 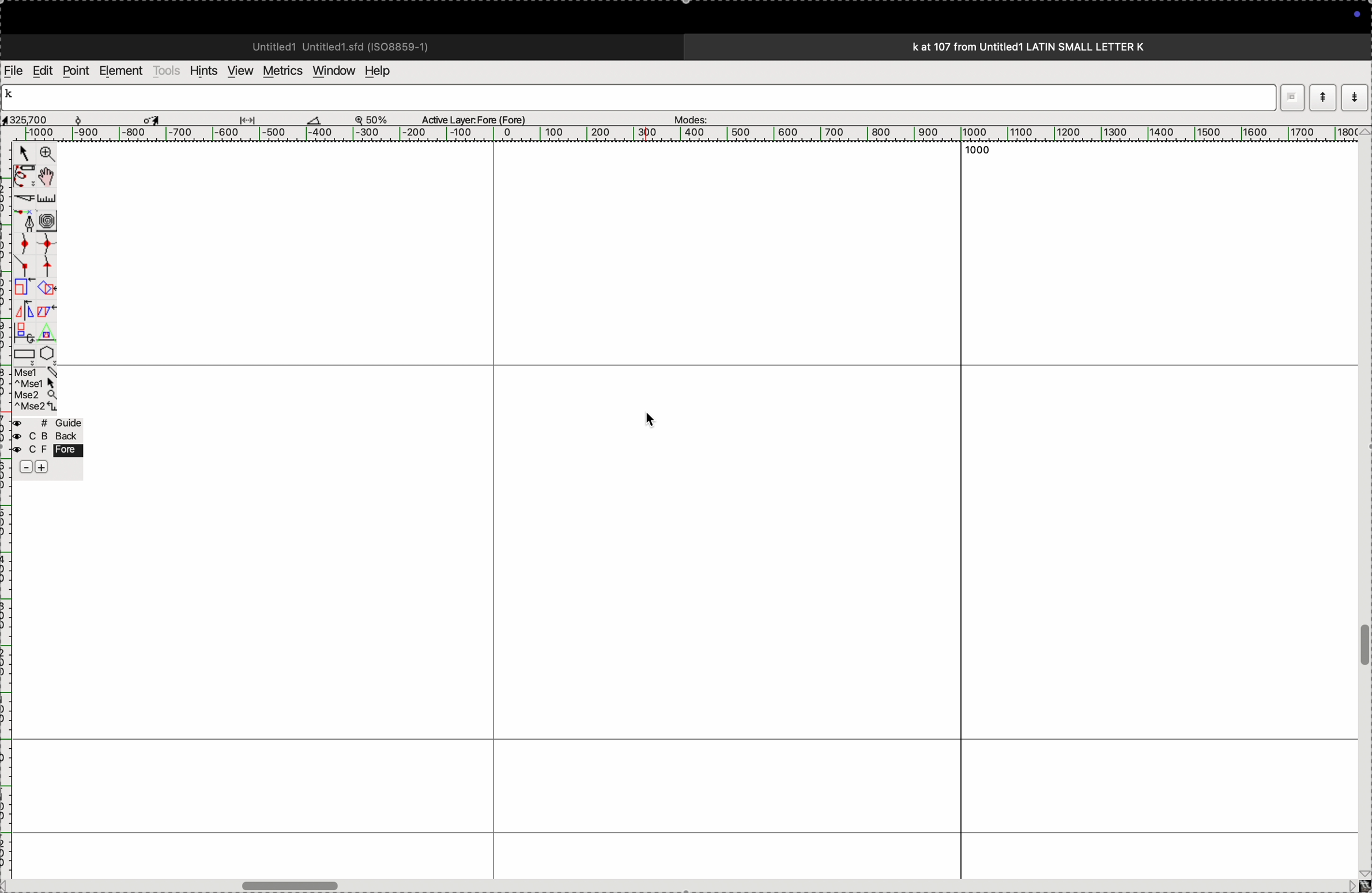 I want to click on restore down, so click(x=1290, y=97).